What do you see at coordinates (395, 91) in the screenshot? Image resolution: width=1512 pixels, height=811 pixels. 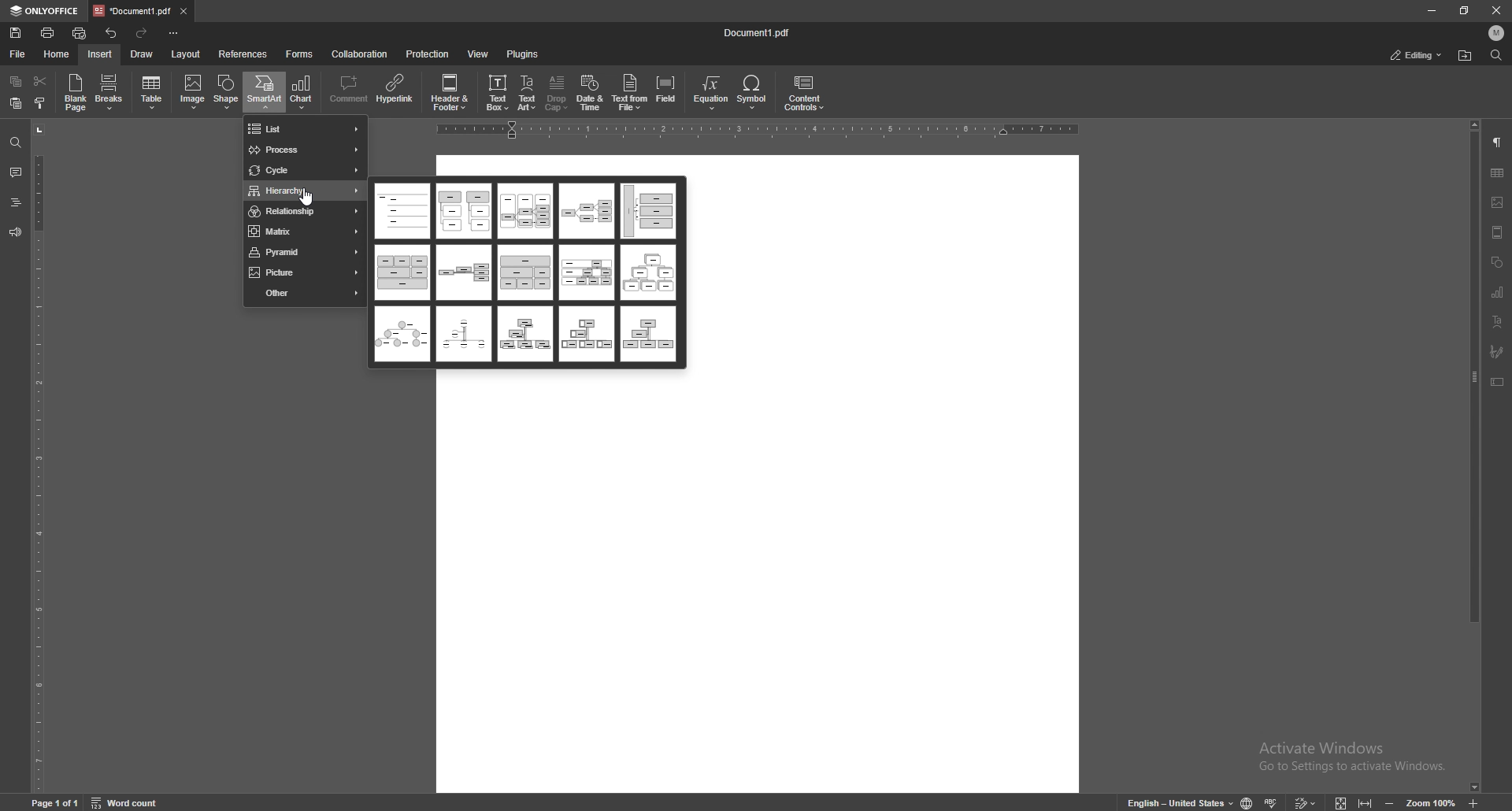 I see `hyperlink` at bounding box center [395, 91].